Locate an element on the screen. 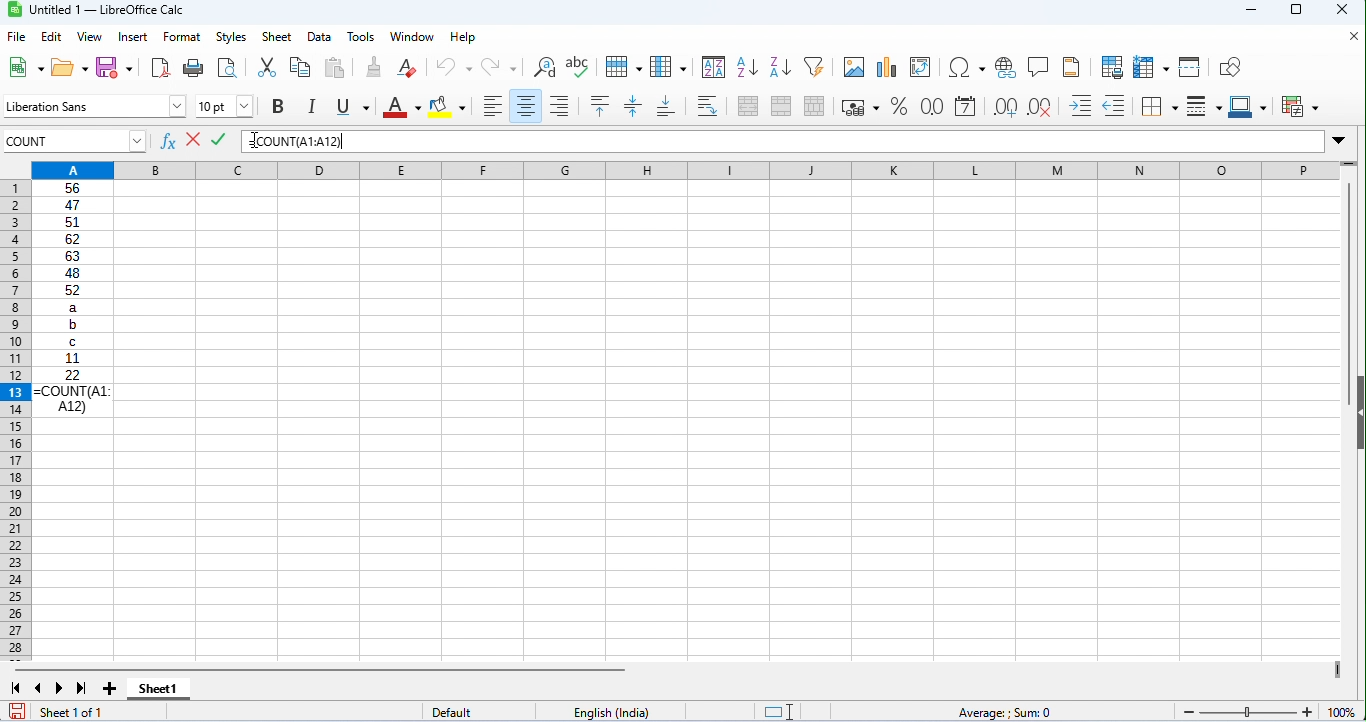 The width and height of the screenshot is (1366, 722). drop down for cell numbers is located at coordinates (137, 141).